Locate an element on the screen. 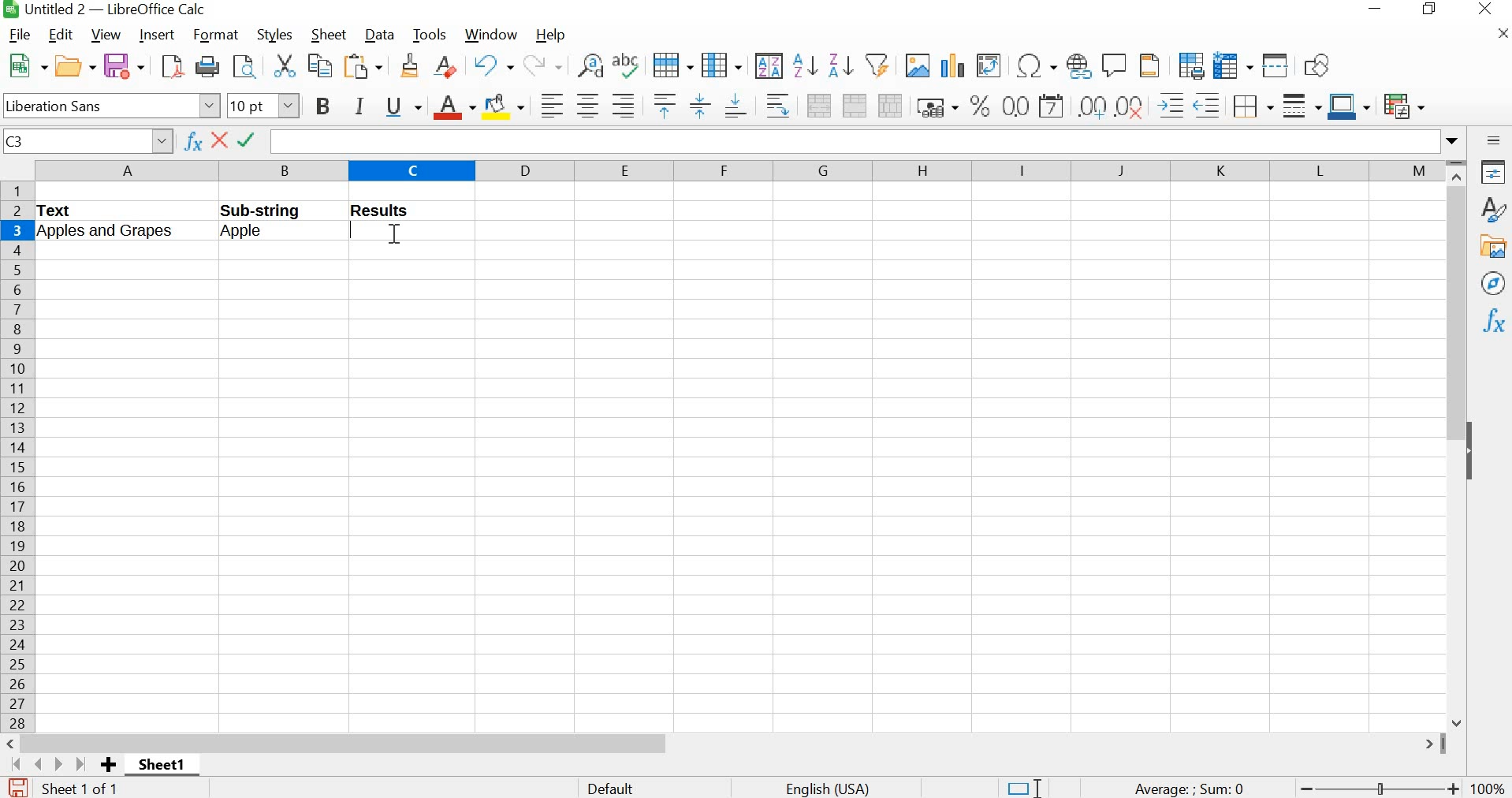  underline is located at coordinates (402, 106).